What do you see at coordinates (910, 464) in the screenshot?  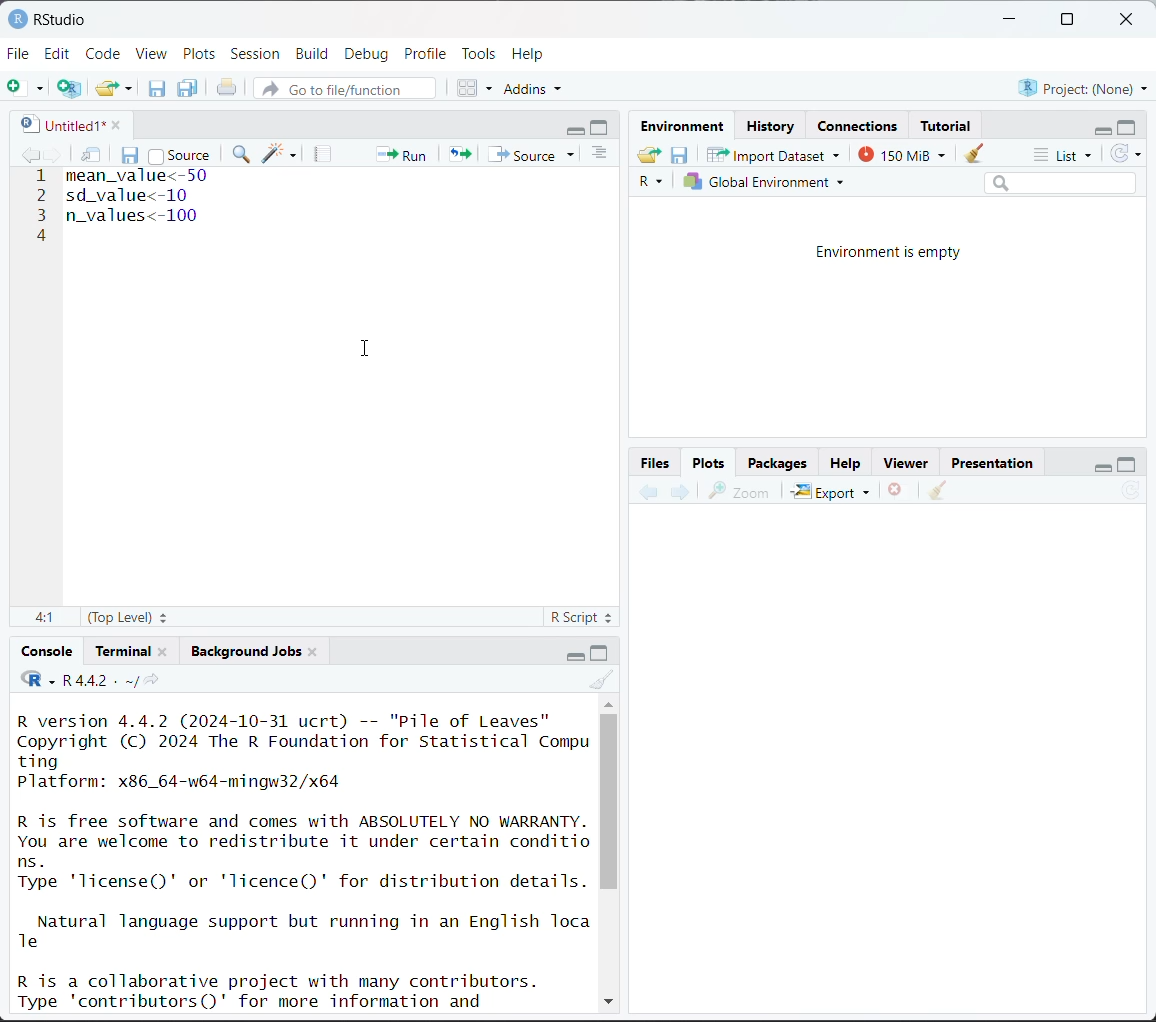 I see `Viewer` at bounding box center [910, 464].